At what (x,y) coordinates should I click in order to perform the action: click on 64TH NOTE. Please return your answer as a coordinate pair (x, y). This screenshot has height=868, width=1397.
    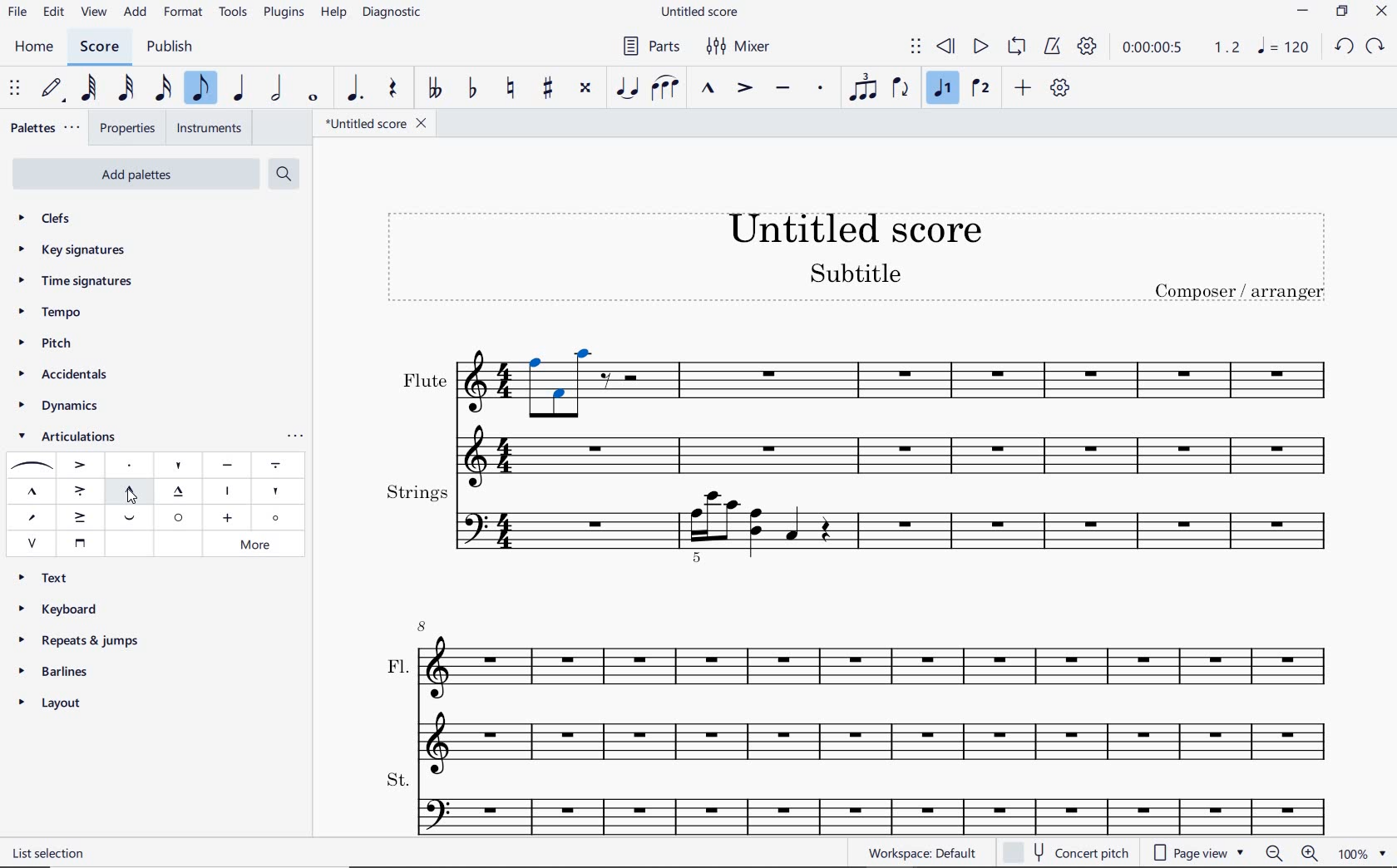
    Looking at the image, I should click on (89, 88).